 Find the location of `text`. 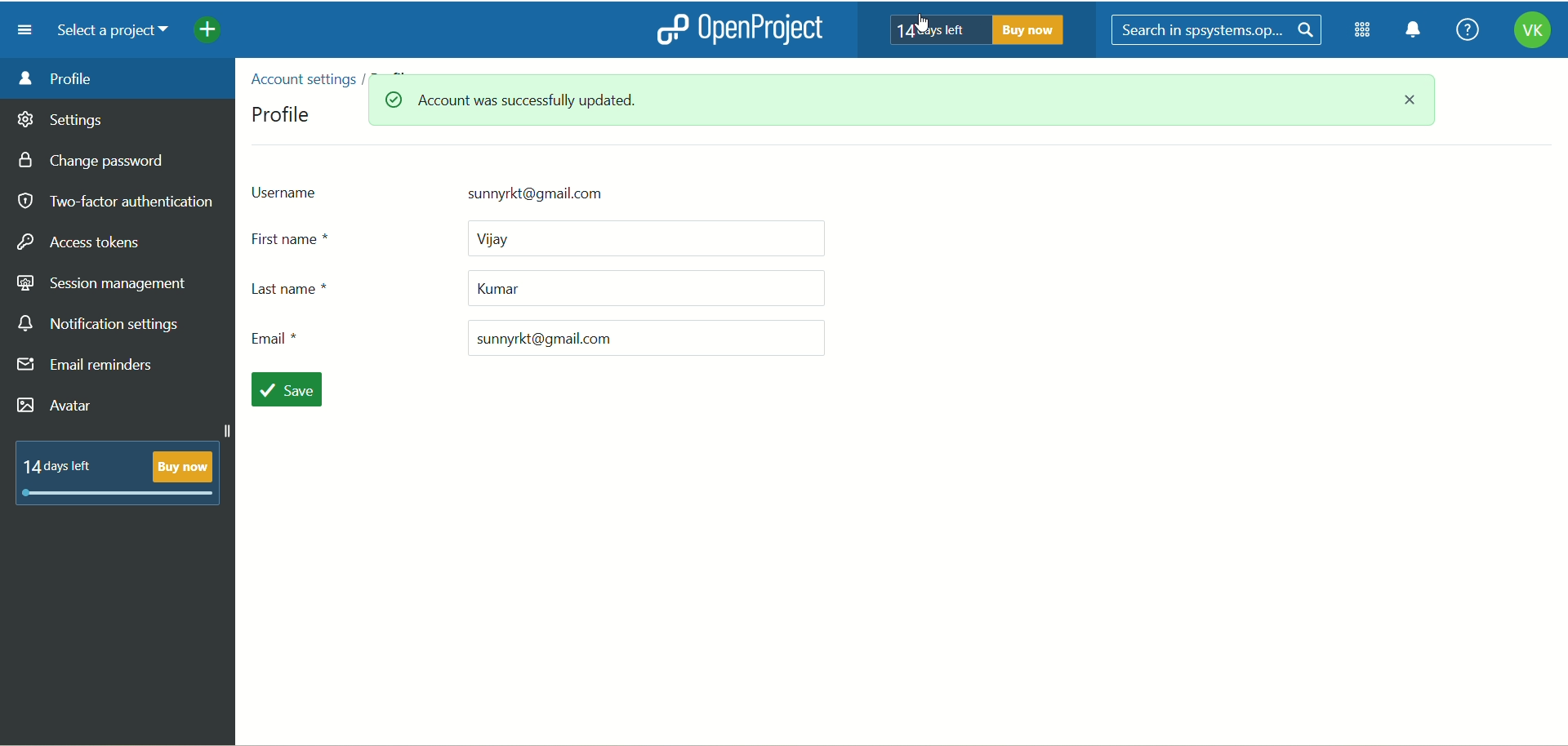

text is located at coordinates (979, 30).